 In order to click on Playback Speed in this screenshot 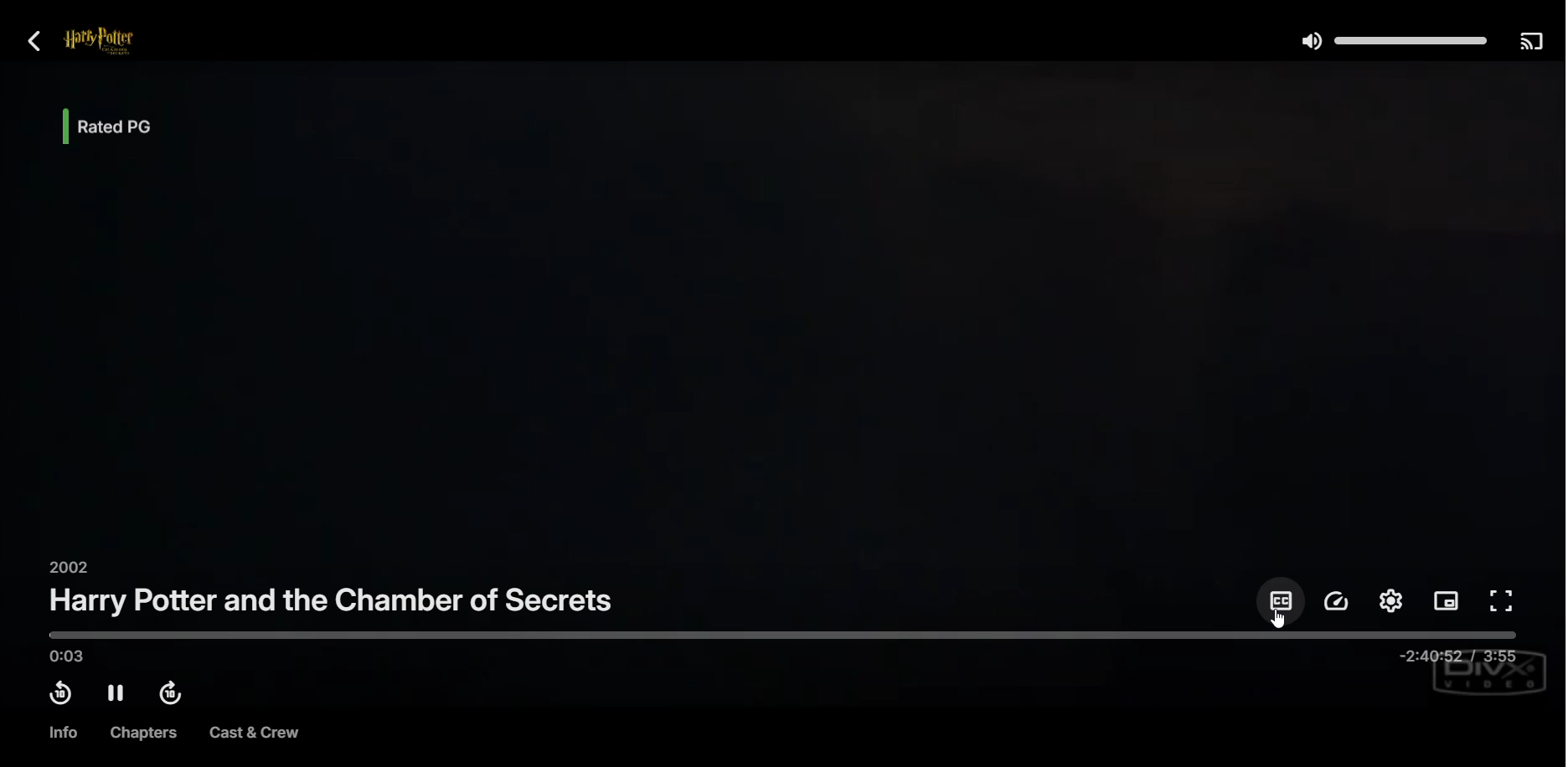, I will do `click(1338, 601)`.